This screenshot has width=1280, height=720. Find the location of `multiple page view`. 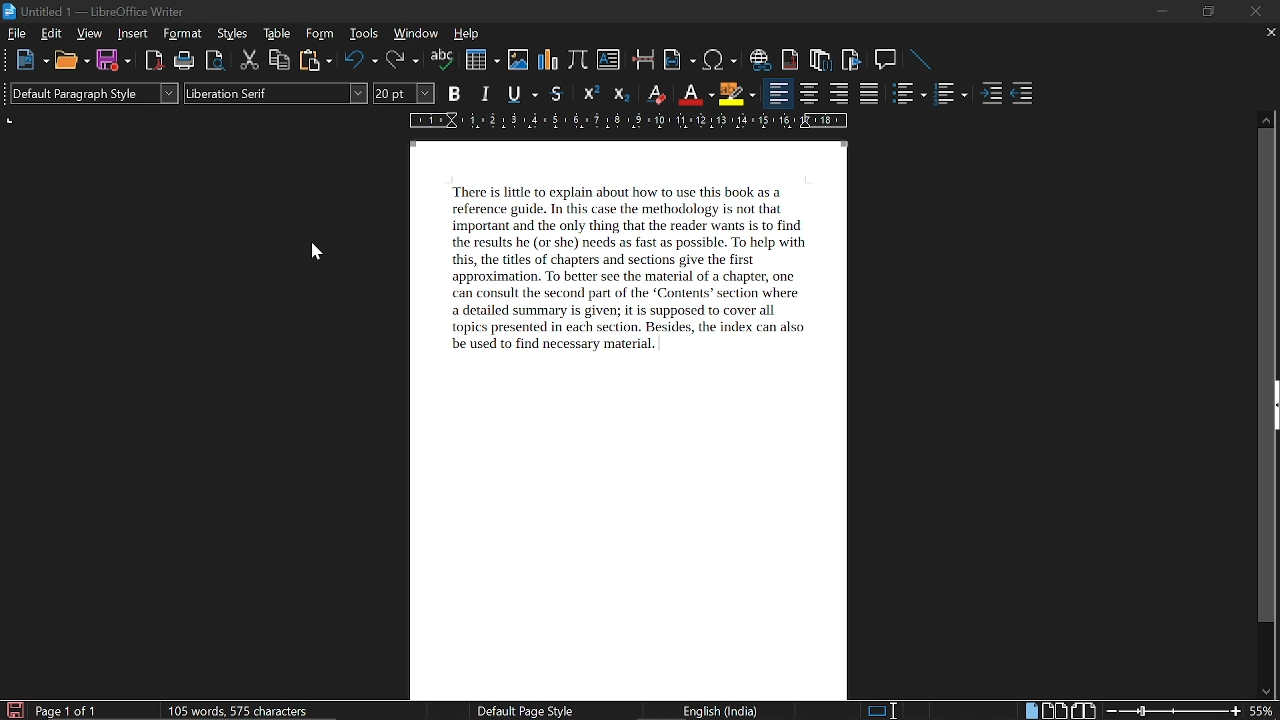

multiple page view is located at coordinates (1054, 711).